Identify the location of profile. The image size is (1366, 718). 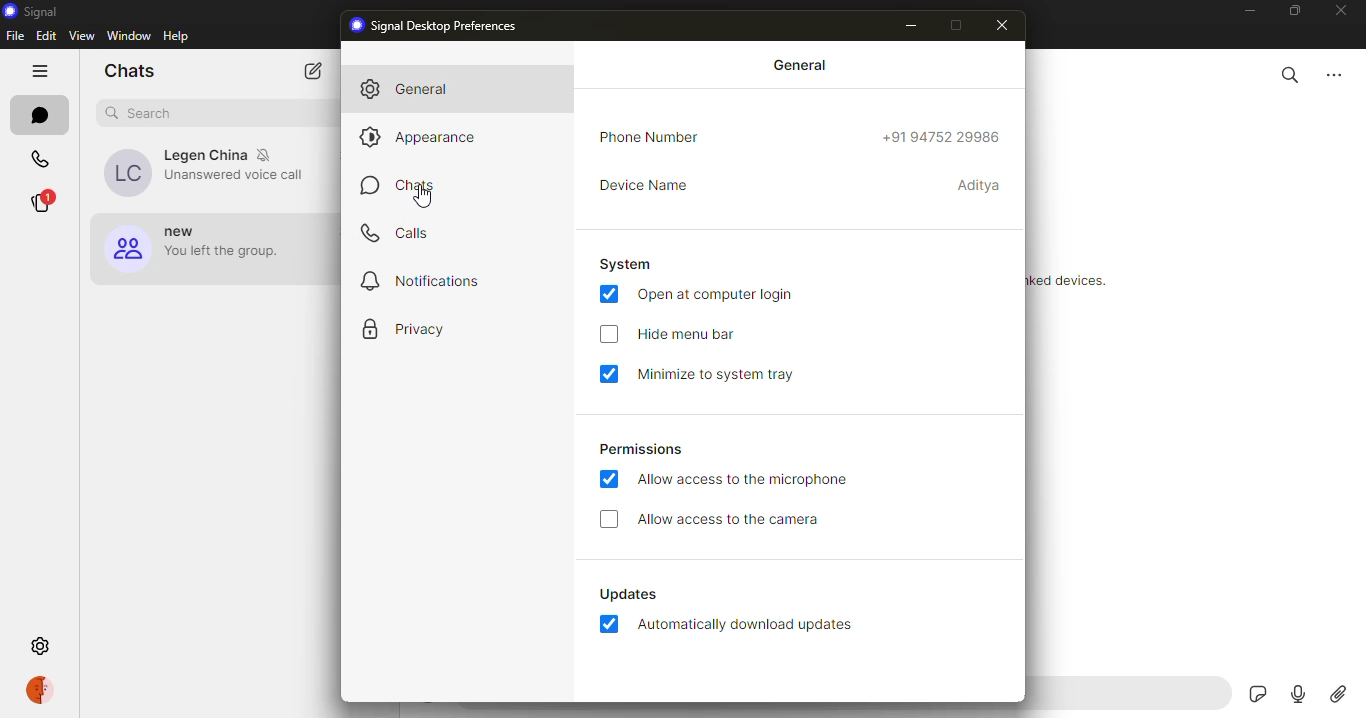
(42, 688).